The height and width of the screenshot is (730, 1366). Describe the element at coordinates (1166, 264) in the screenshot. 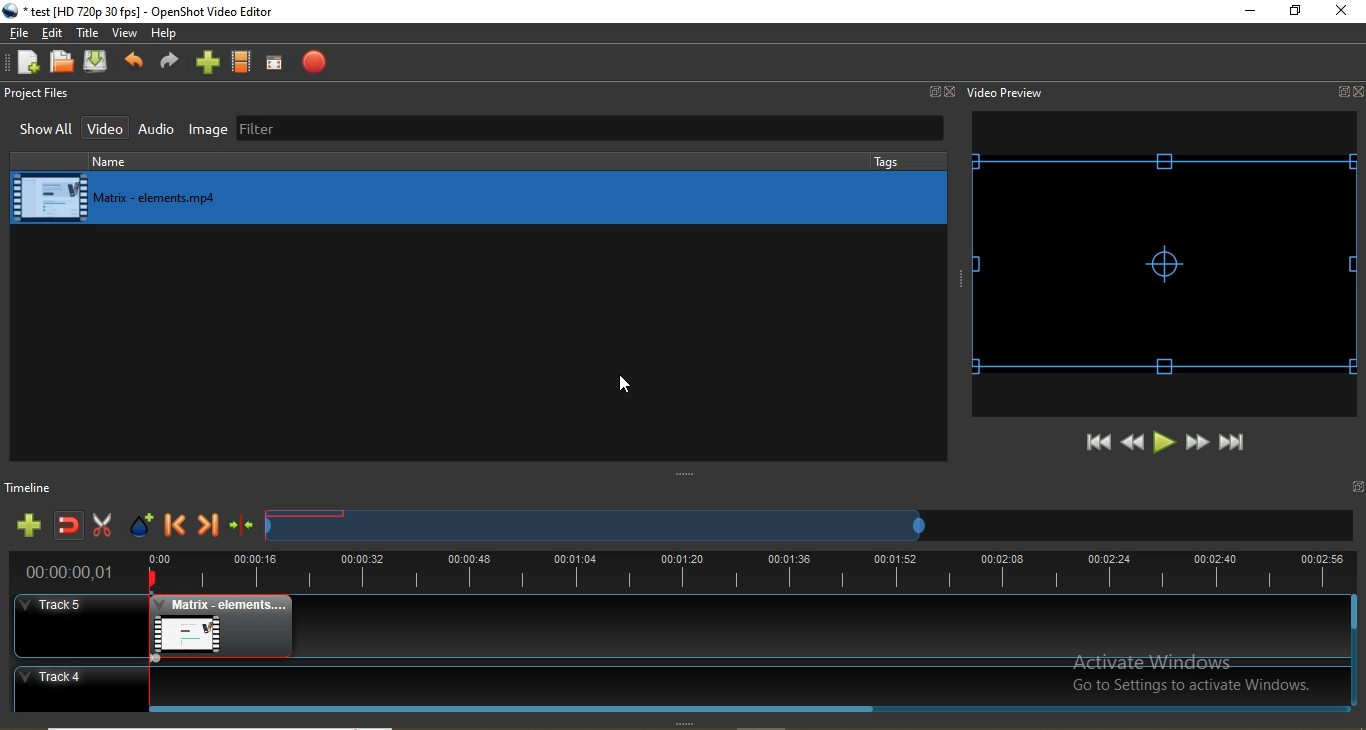

I see `video preview` at that location.